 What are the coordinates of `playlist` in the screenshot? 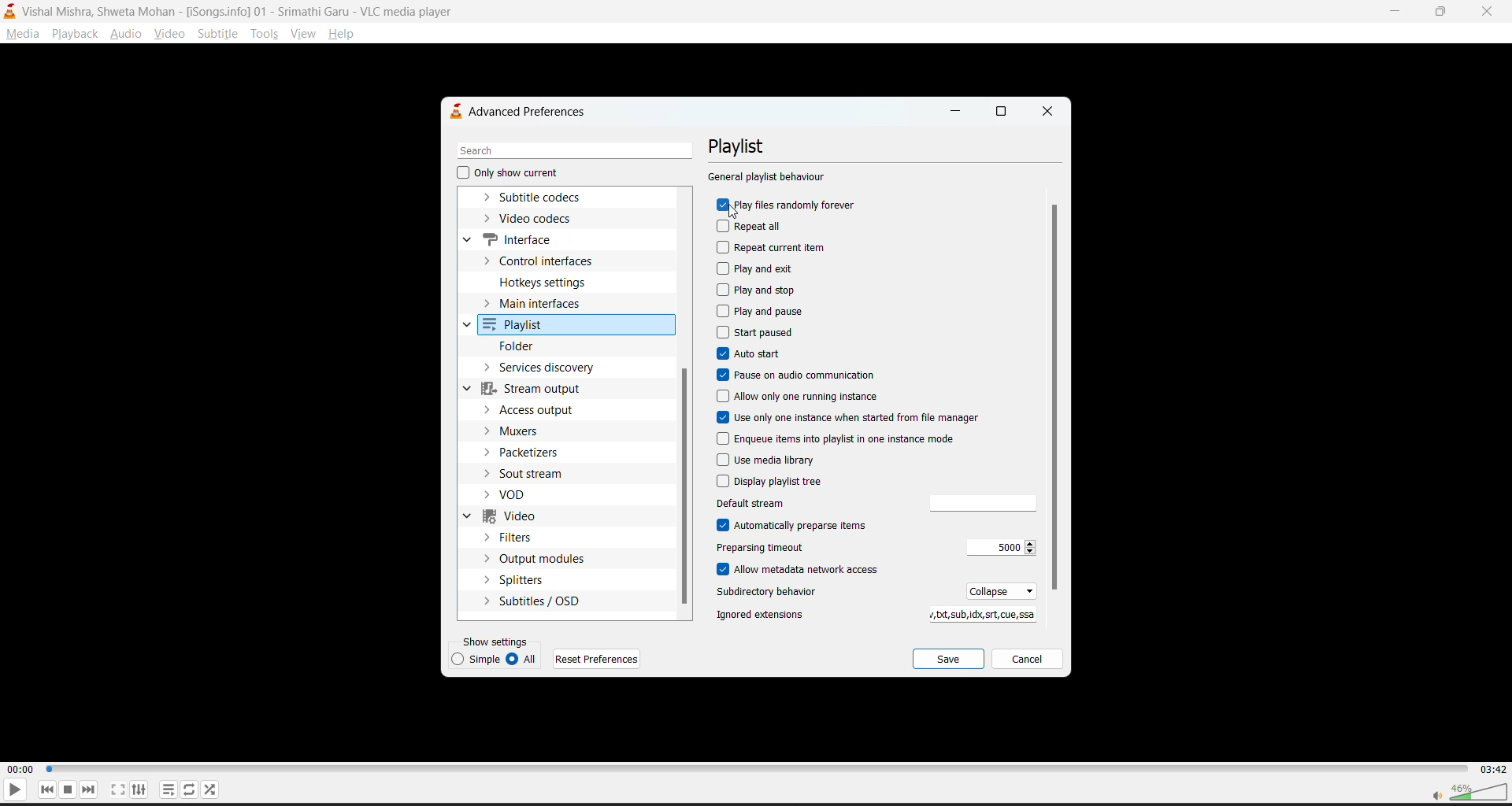 It's located at (738, 149).